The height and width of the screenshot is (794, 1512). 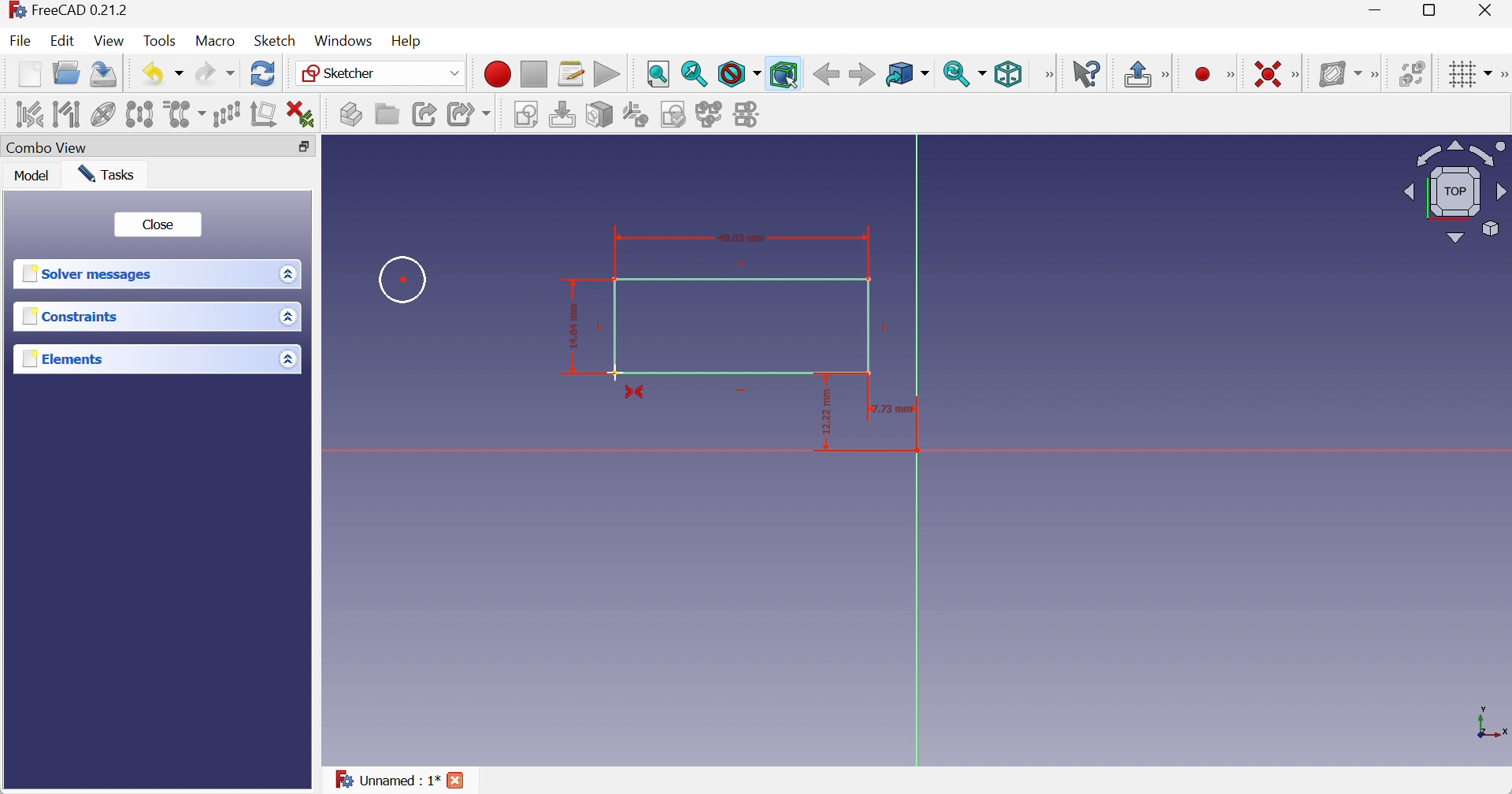 I want to click on Undo, so click(x=165, y=75).